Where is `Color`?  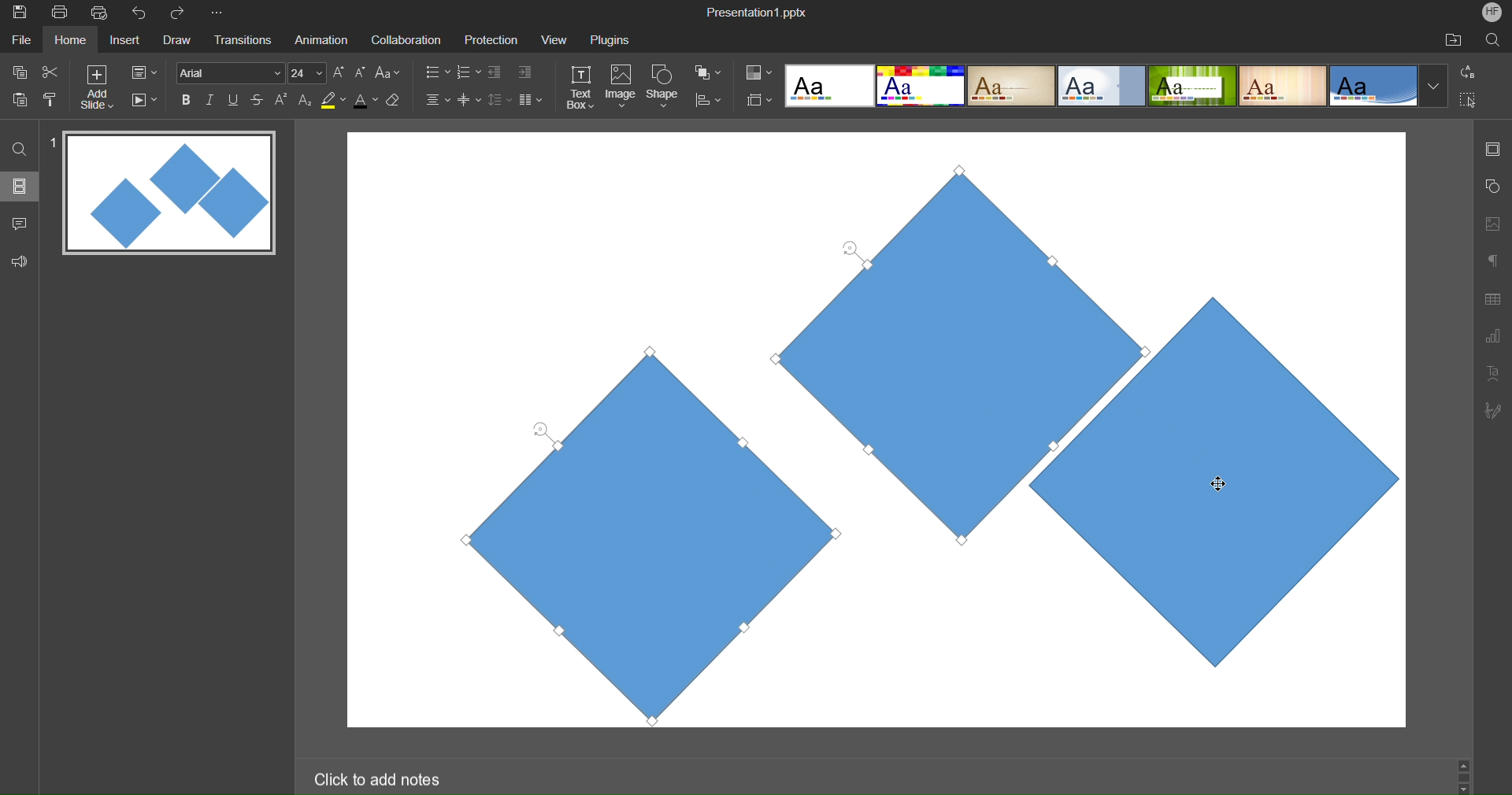
Color is located at coordinates (759, 72).